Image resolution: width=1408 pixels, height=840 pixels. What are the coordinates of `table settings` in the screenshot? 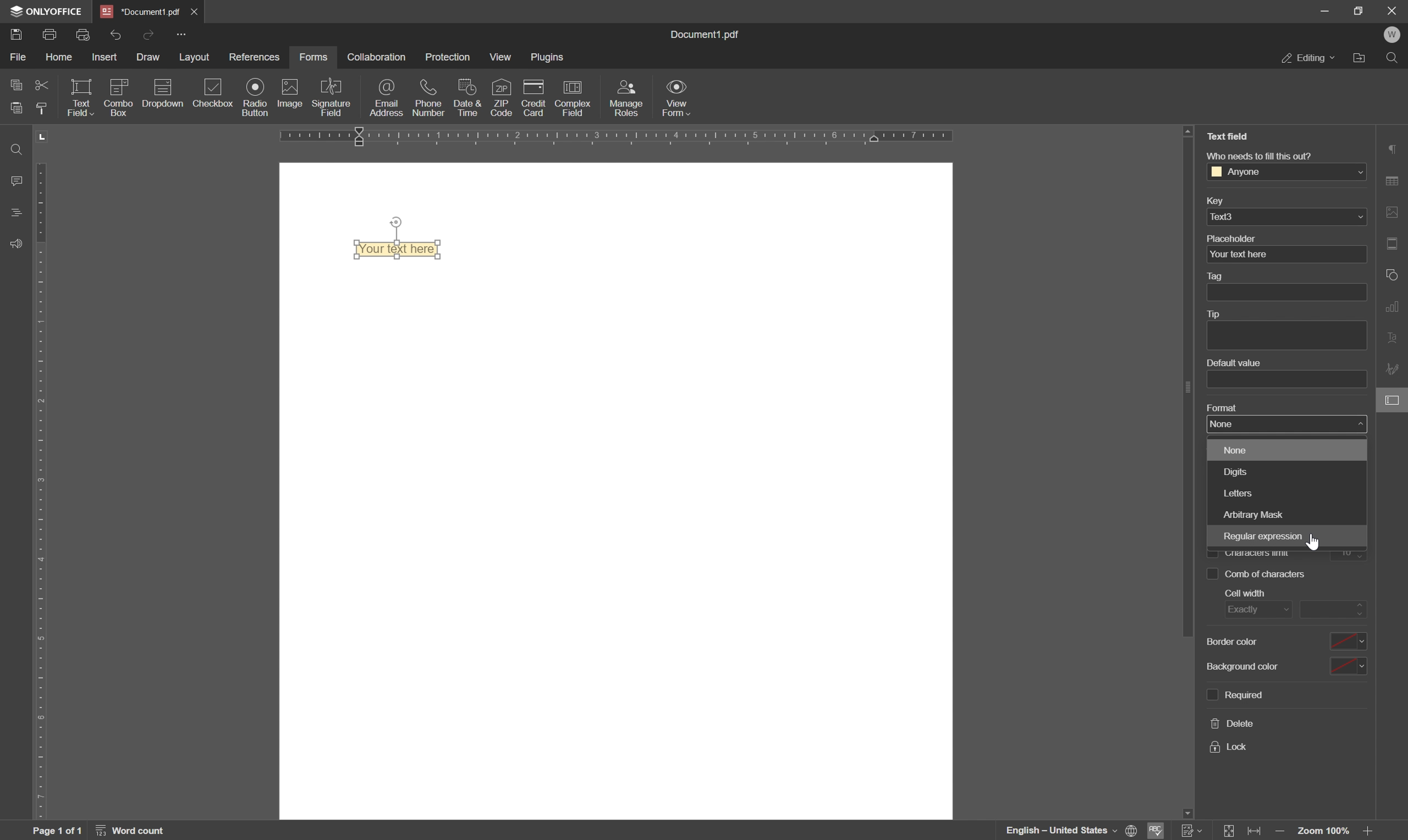 It's located at (1395, 180).